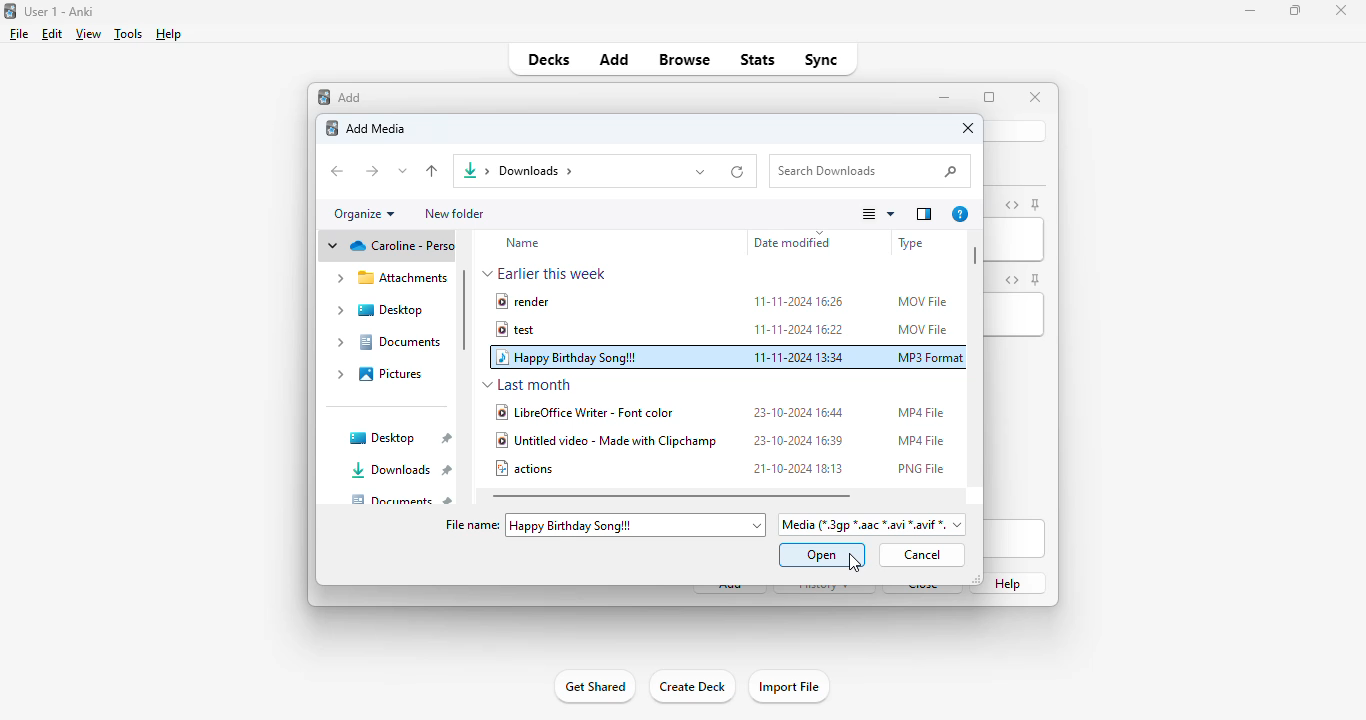 This screenshot has width=1366, height=720. I want to click on previous locations, so click(701, 172).